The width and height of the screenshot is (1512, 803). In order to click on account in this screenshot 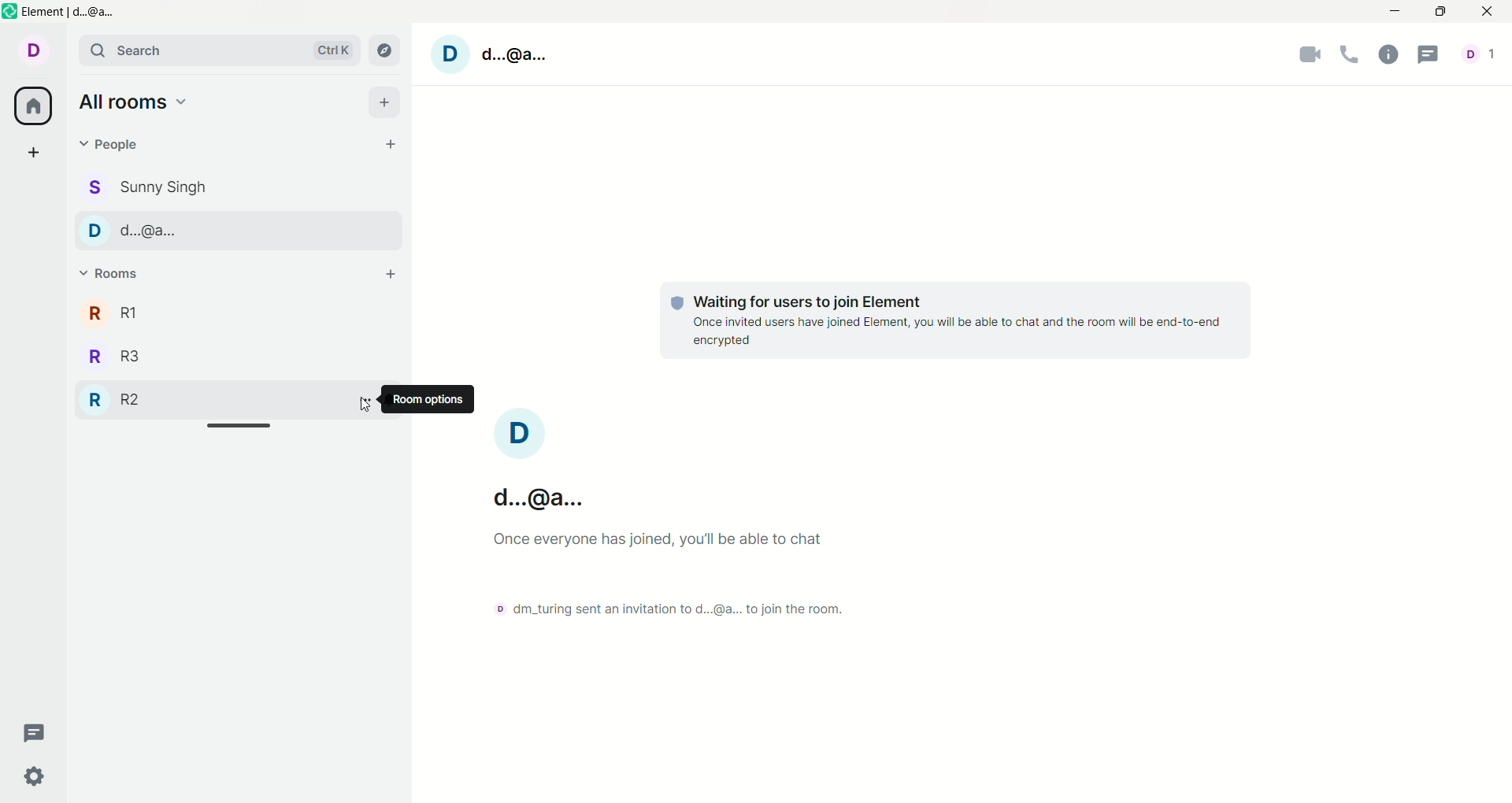, I will do `click(1484, 56)`.